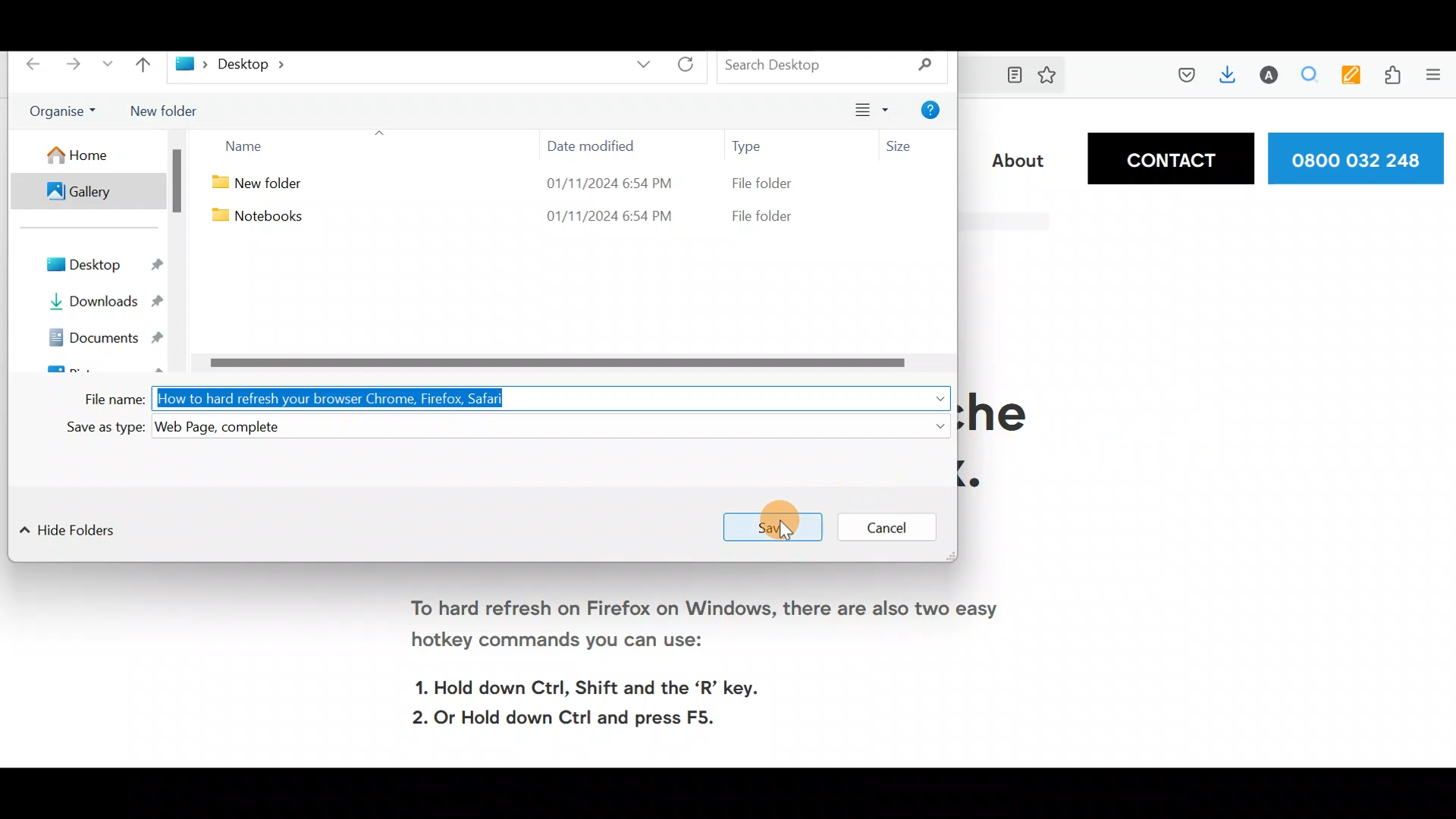 The height and width of the screenshot is (819, 1456). Describe the element at coordinates (571, 362) in the screenshot. I see `Scroll bar` at that location.